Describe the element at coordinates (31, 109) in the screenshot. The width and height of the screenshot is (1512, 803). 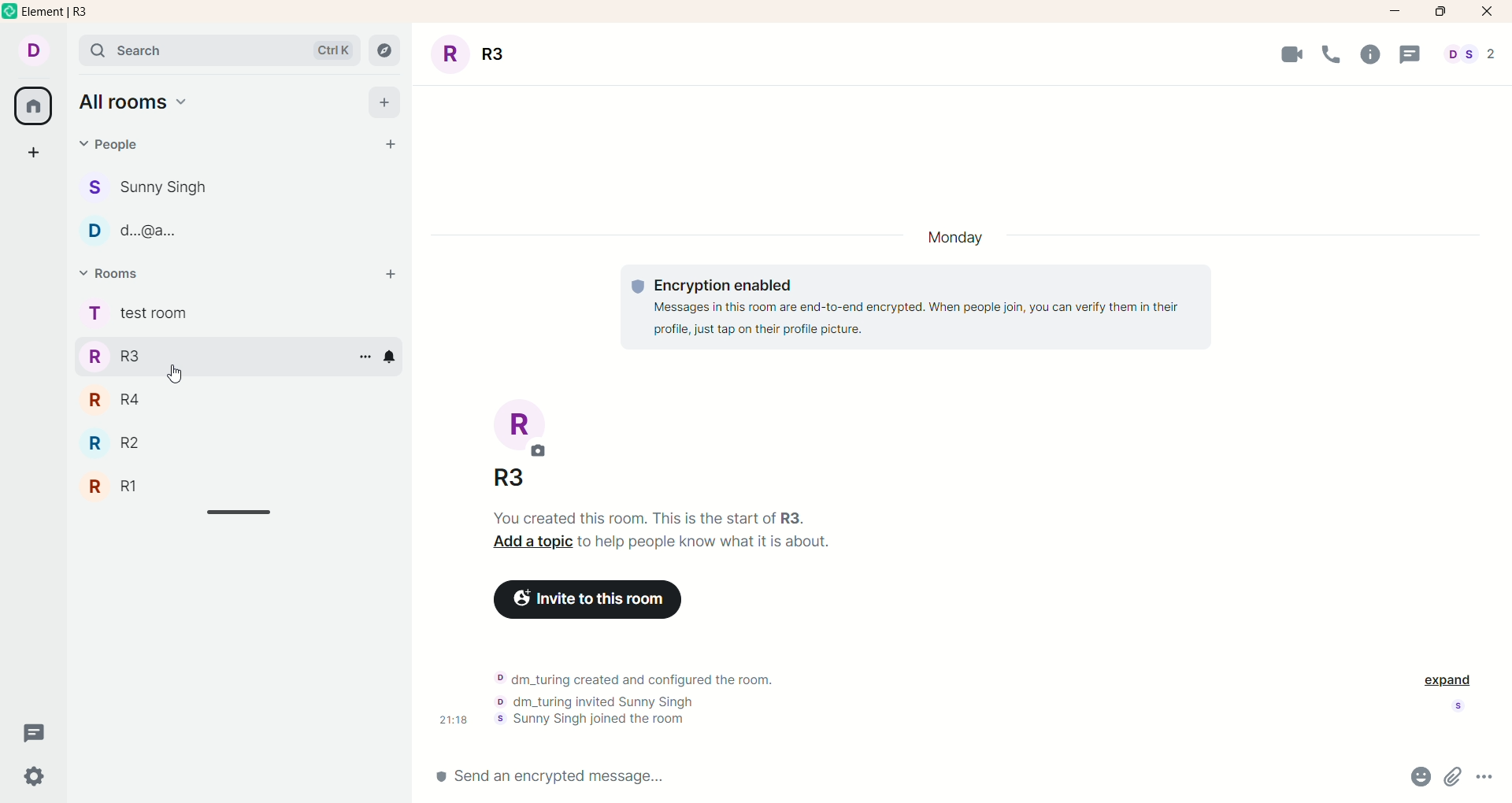
I see `all rooms` at that location.